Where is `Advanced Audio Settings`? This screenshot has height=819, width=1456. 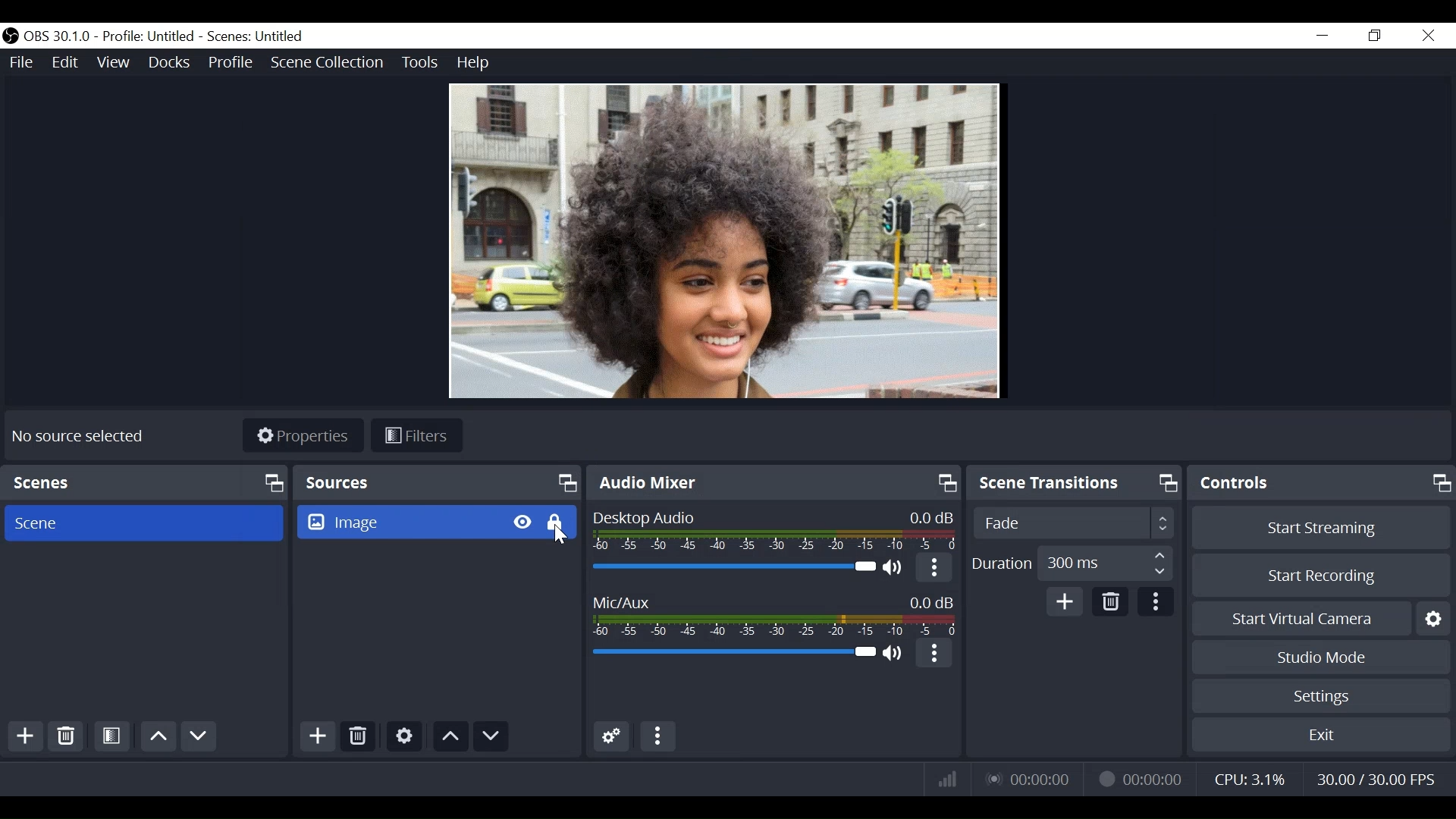 Advanced Audio Settings is located at coordinates (612, 737).